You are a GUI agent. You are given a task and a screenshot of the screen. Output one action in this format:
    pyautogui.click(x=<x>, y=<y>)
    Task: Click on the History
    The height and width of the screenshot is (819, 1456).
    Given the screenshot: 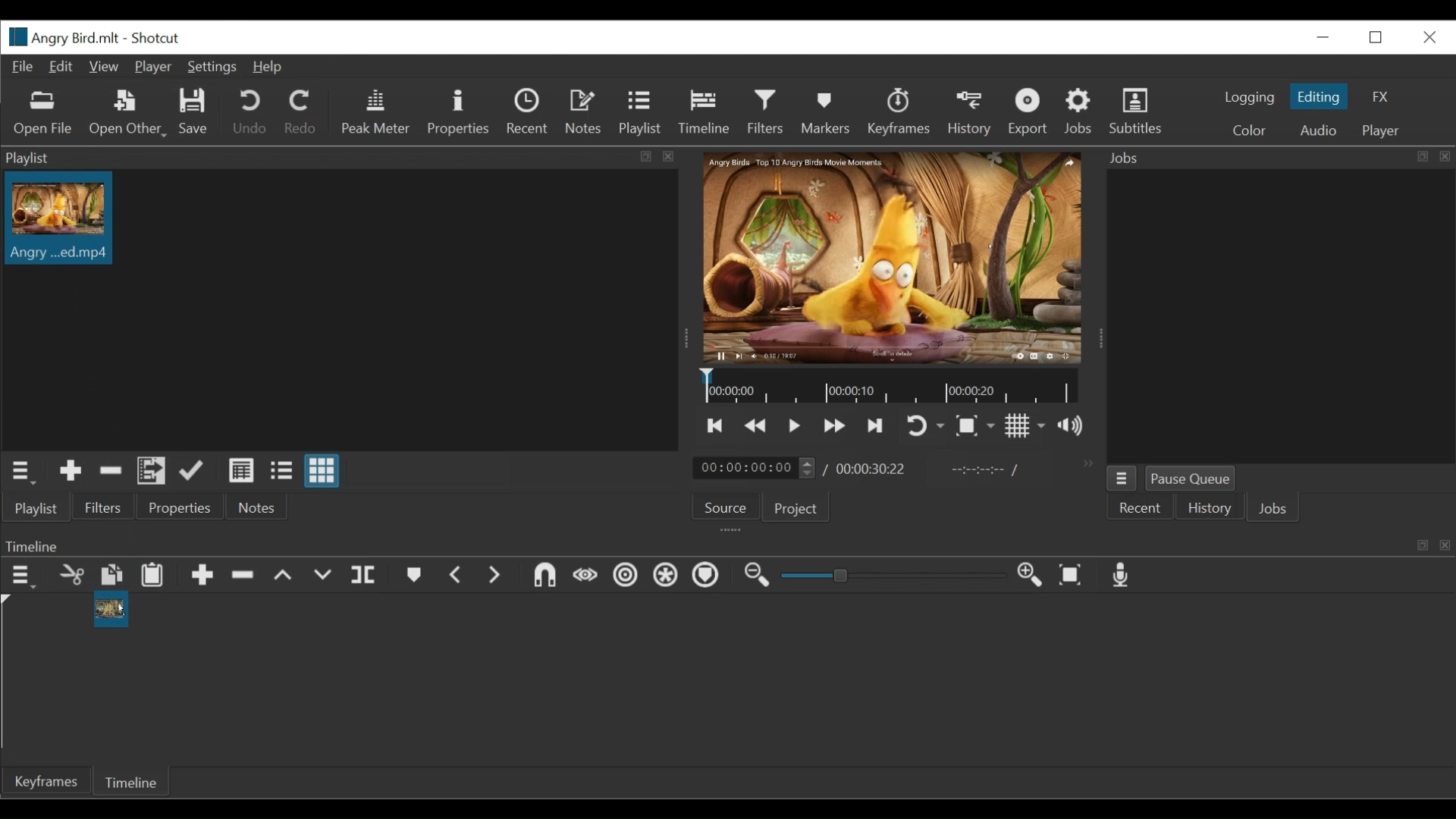 What is the action you would take?
    pyautogui.click(x=968, y=113)
    